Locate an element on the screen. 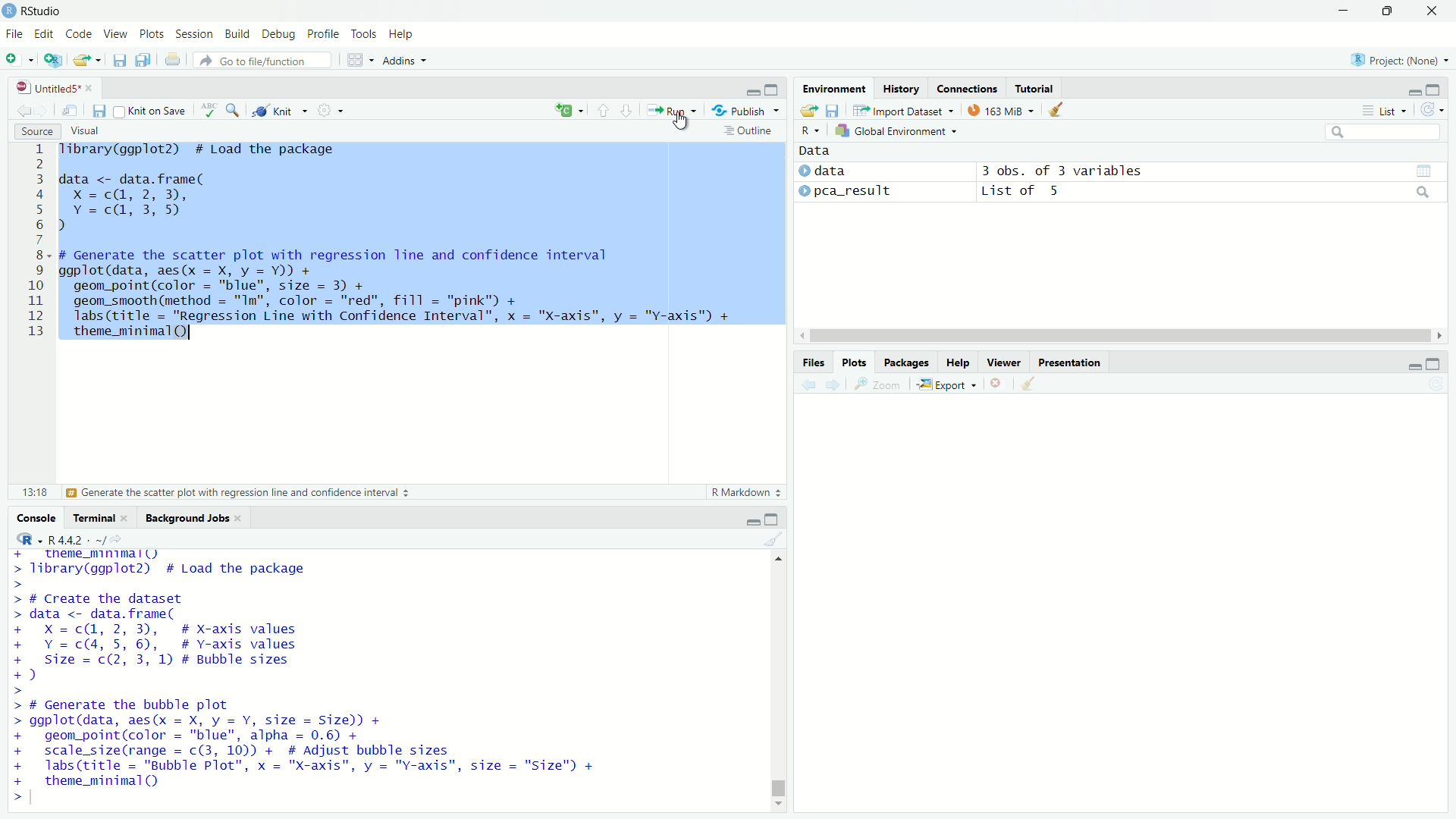 This screenshot has height=819, width=1456. close is located at coordinates (1432, 11).